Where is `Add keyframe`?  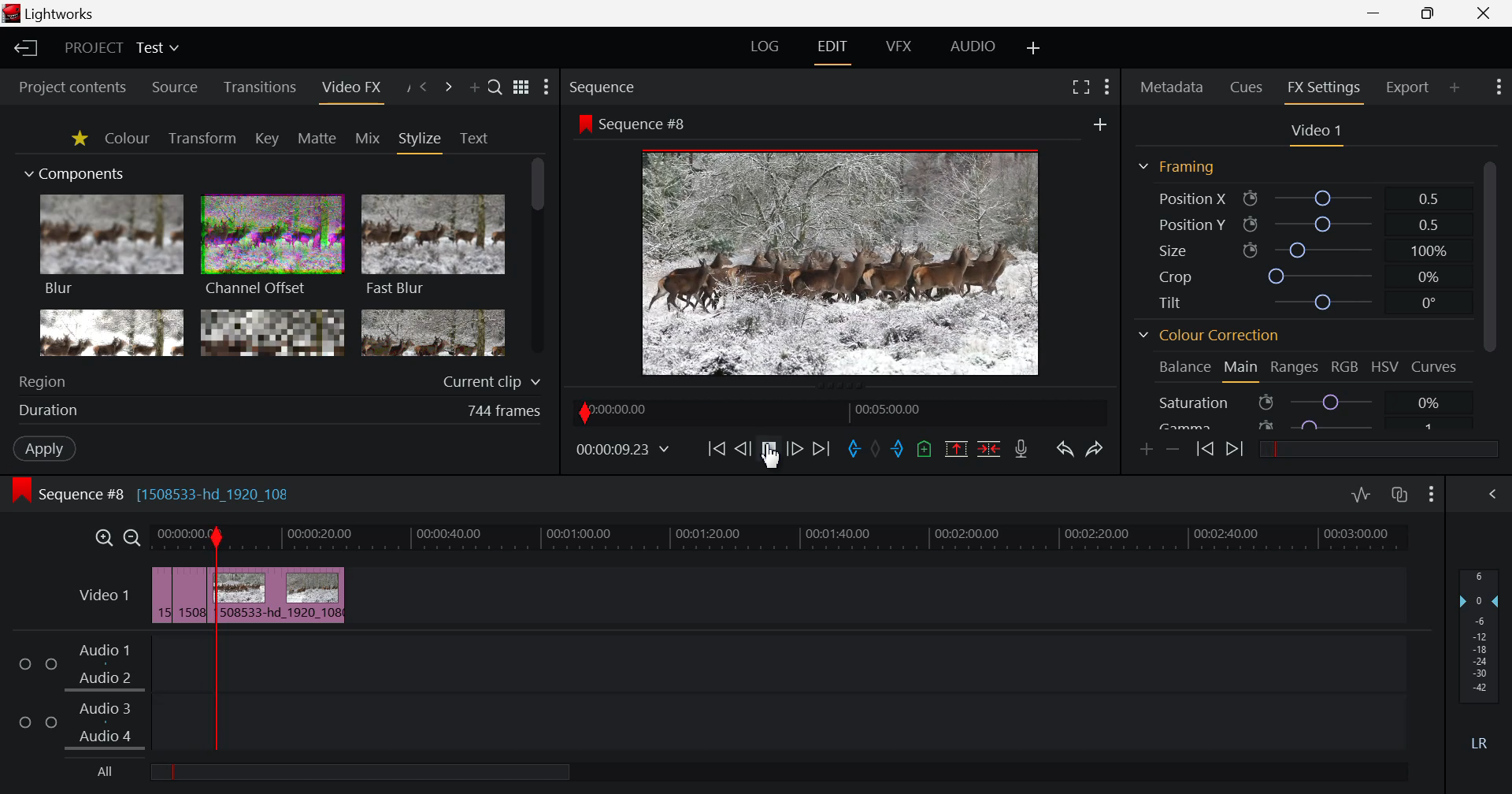
Add keyframe is located at coordinates (1147, 451).